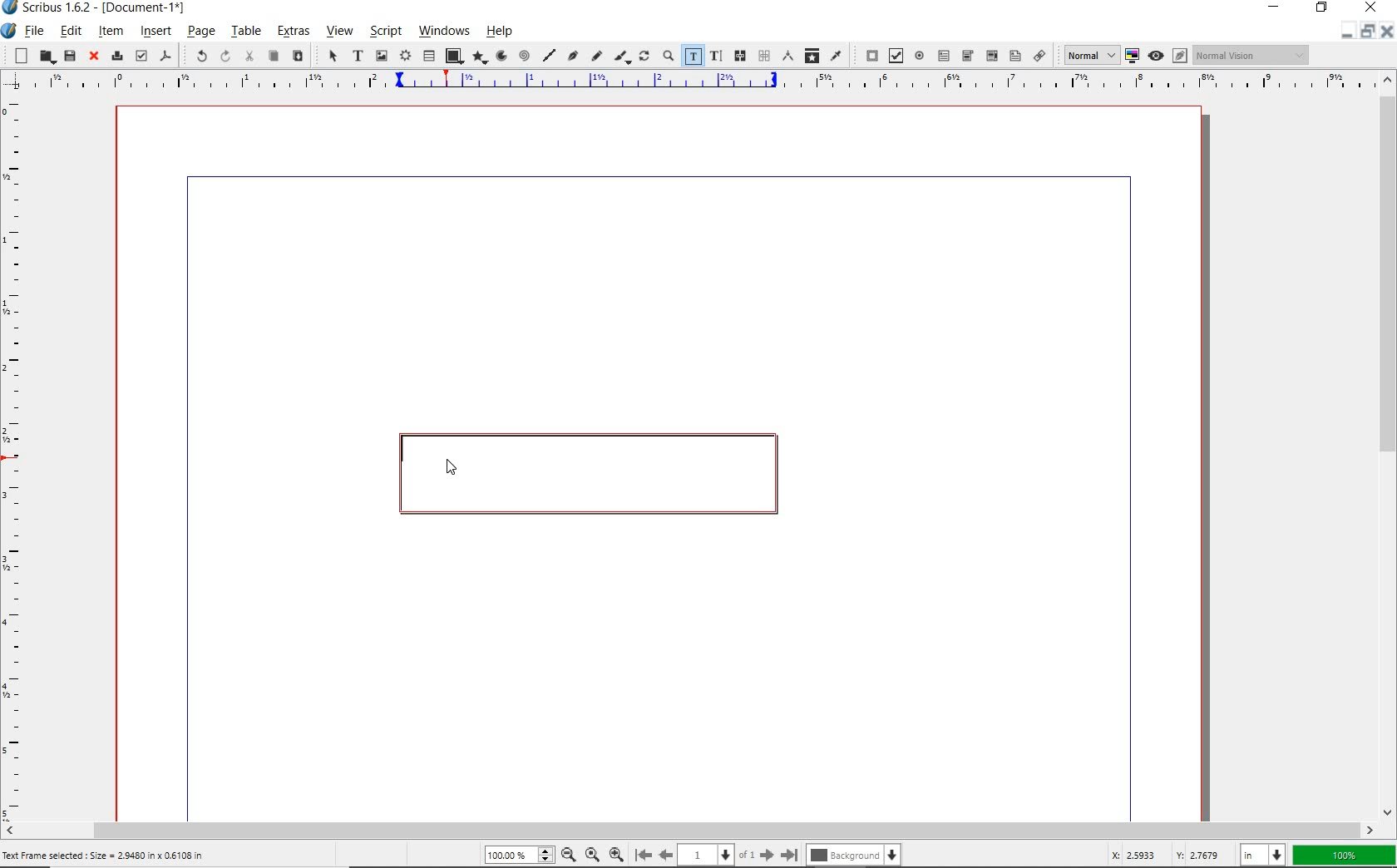  I want to click on page, so click(200, 32).